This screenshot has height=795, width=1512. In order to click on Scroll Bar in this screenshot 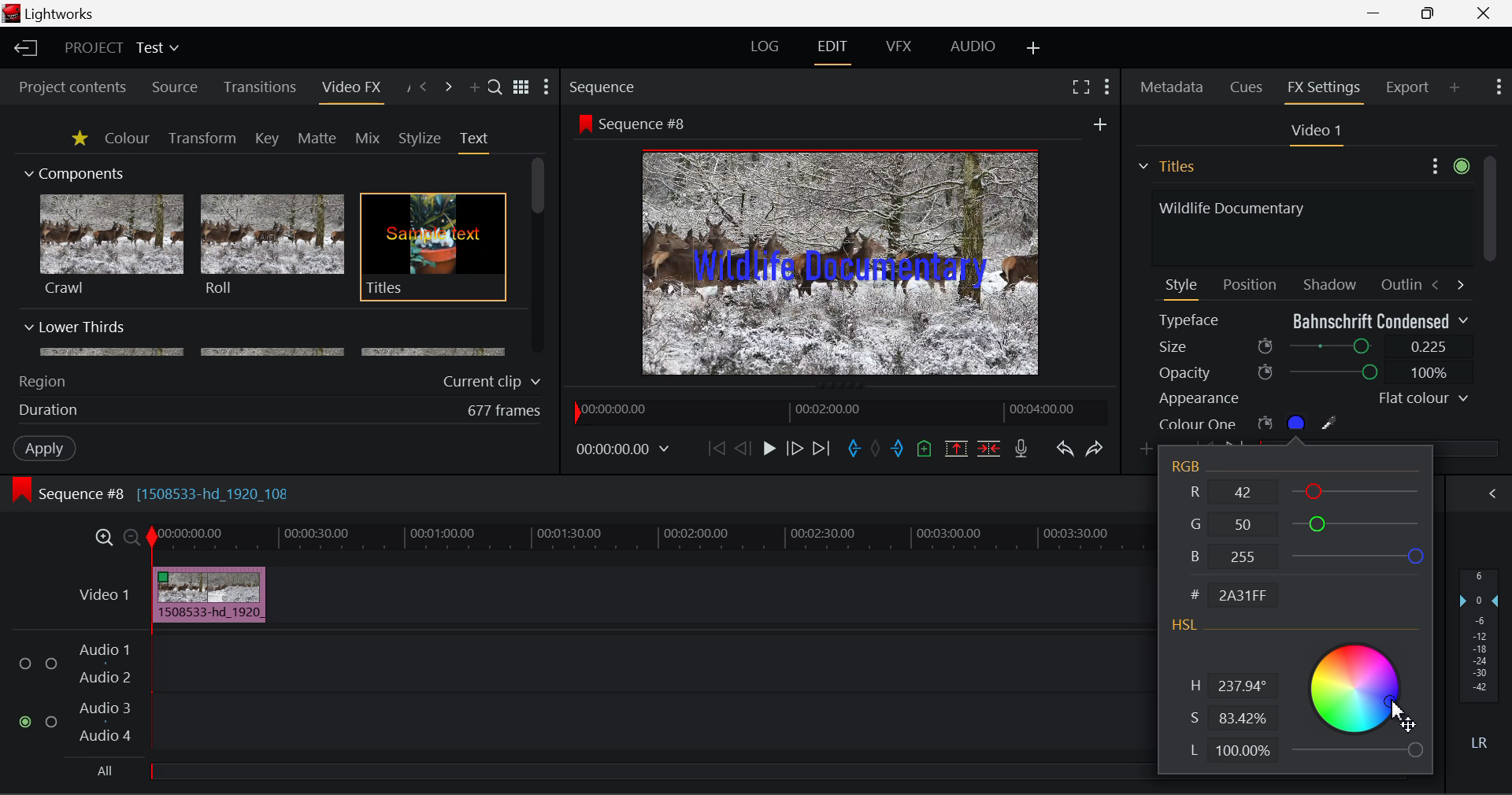, I will do `click(1489, 294)`.